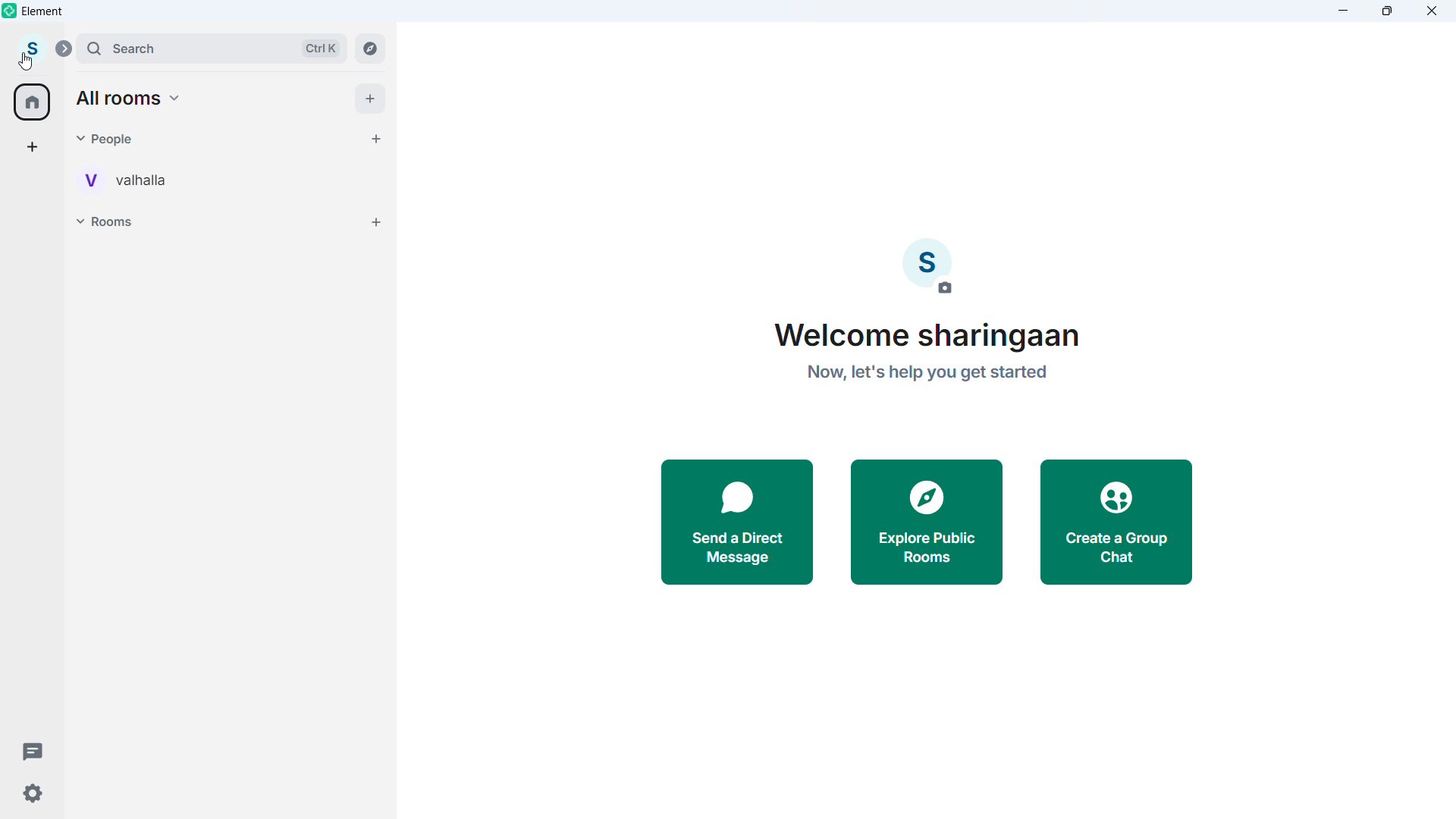 Image resolution: width=1456 pixels, height=819 pixels. What do you see at coordinates (376, 222) in the screenshot?
I see `Add rooms ` at bounding box center [376, 222].